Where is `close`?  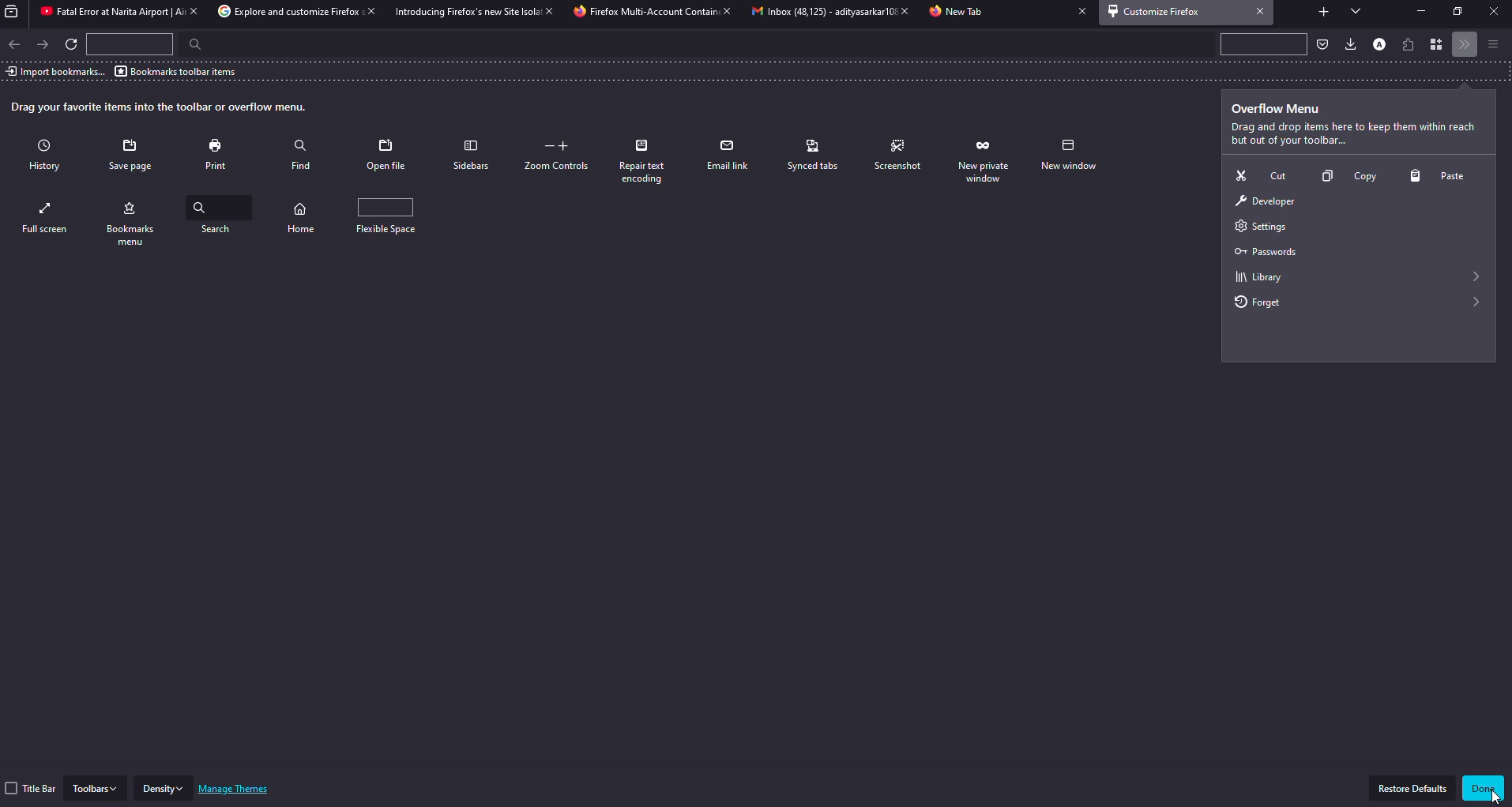 close is located at coordinates (1261, 11).